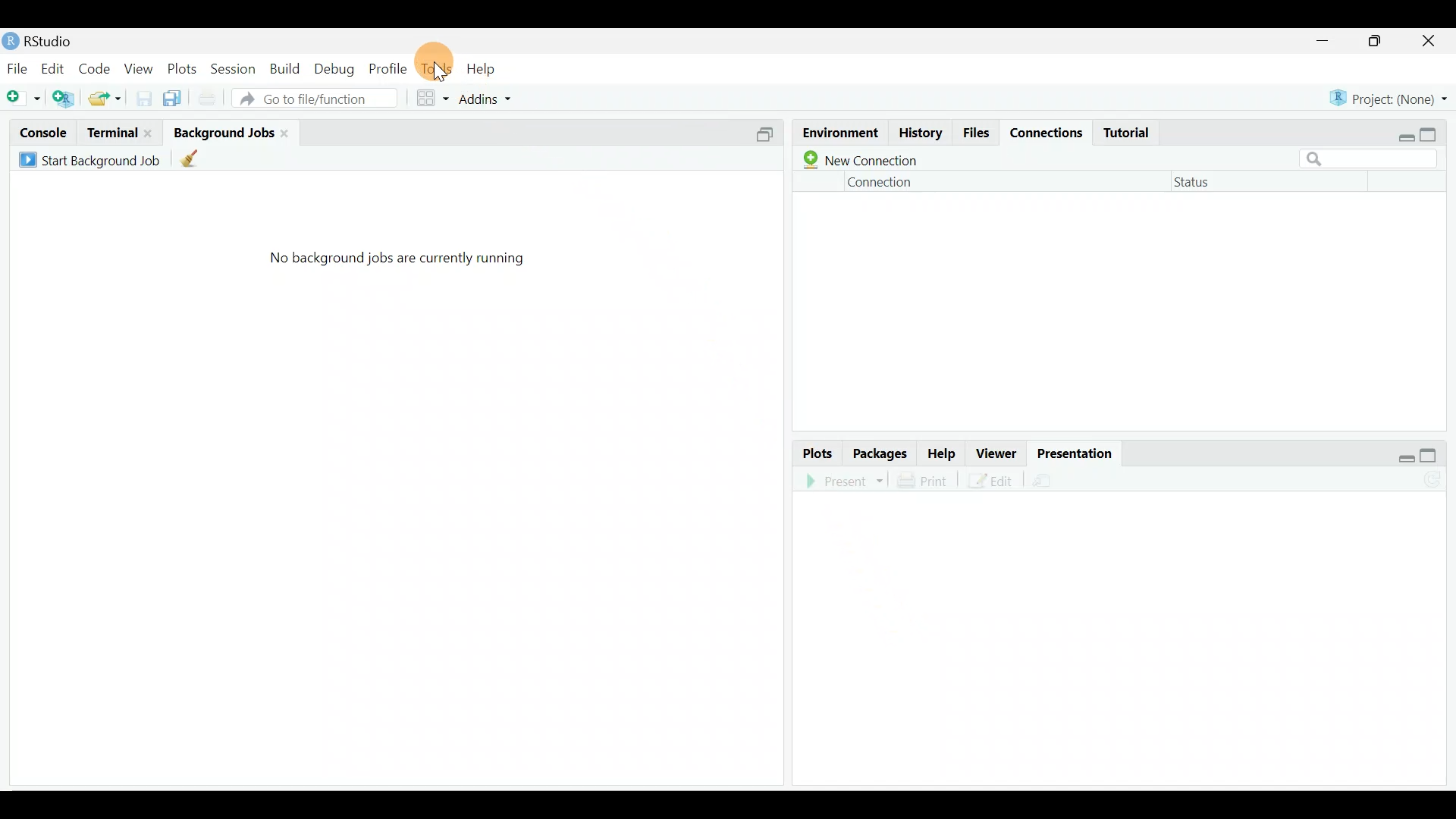 This screenshot has height=819, width=1456. What do you see at coordinates (490, 101) in the screenshot?
I see `Addins` at bounding box center [490, 101].